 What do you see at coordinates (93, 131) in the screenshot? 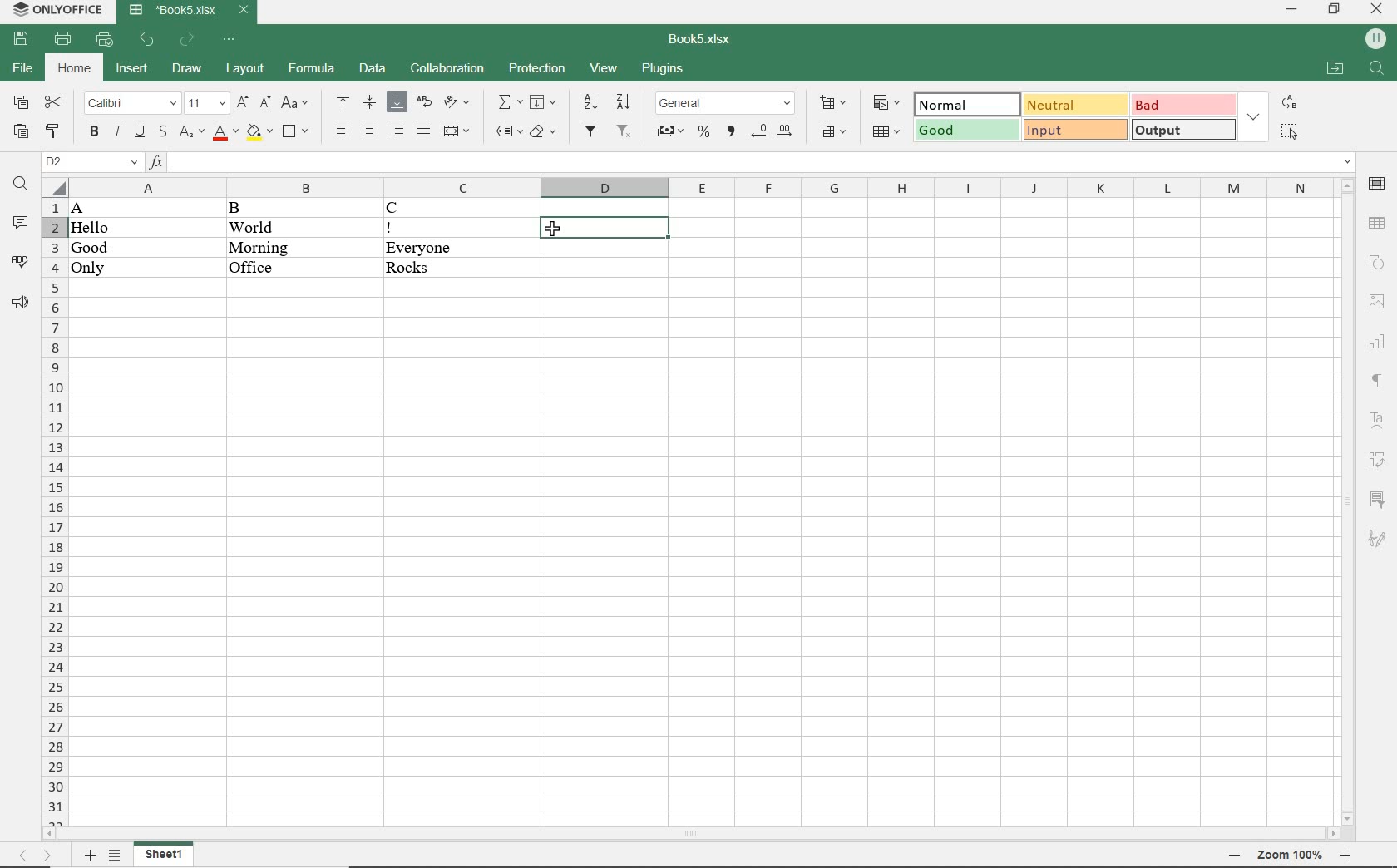
I see `bold` at bounding box center [93, 131].